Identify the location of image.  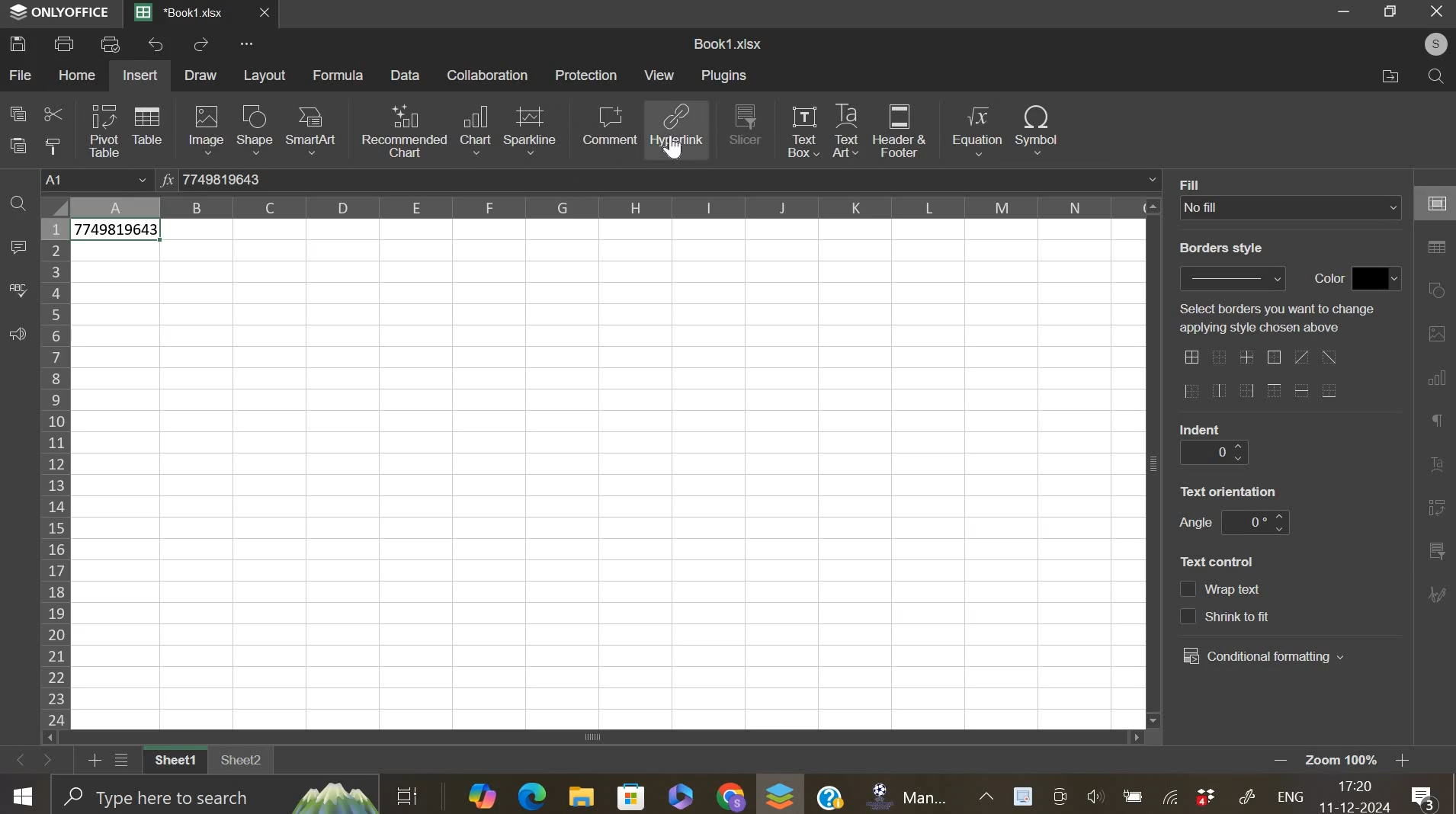
(207, 129).